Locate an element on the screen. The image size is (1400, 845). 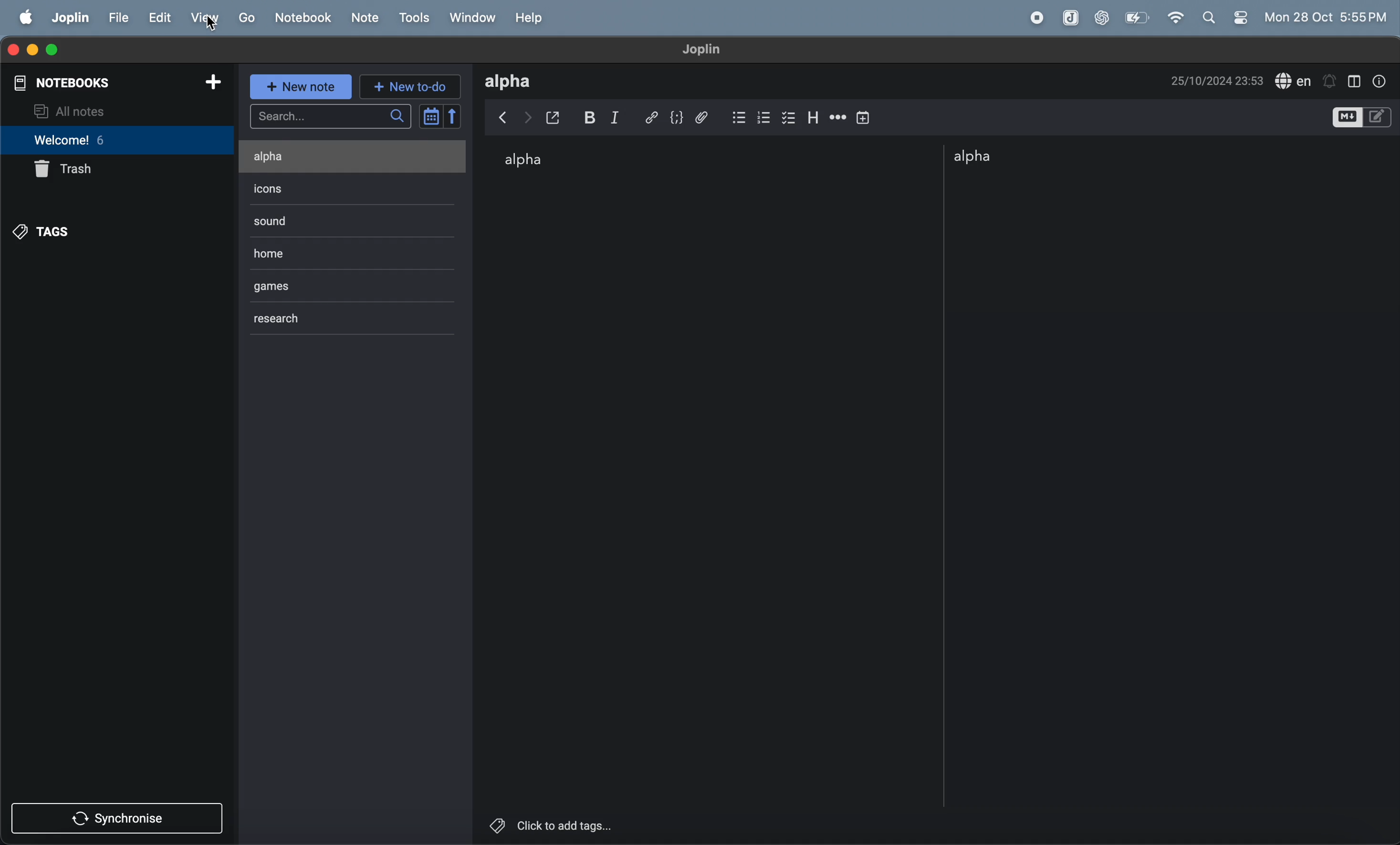
note 1 alpha is located at coordinates (327, 156).